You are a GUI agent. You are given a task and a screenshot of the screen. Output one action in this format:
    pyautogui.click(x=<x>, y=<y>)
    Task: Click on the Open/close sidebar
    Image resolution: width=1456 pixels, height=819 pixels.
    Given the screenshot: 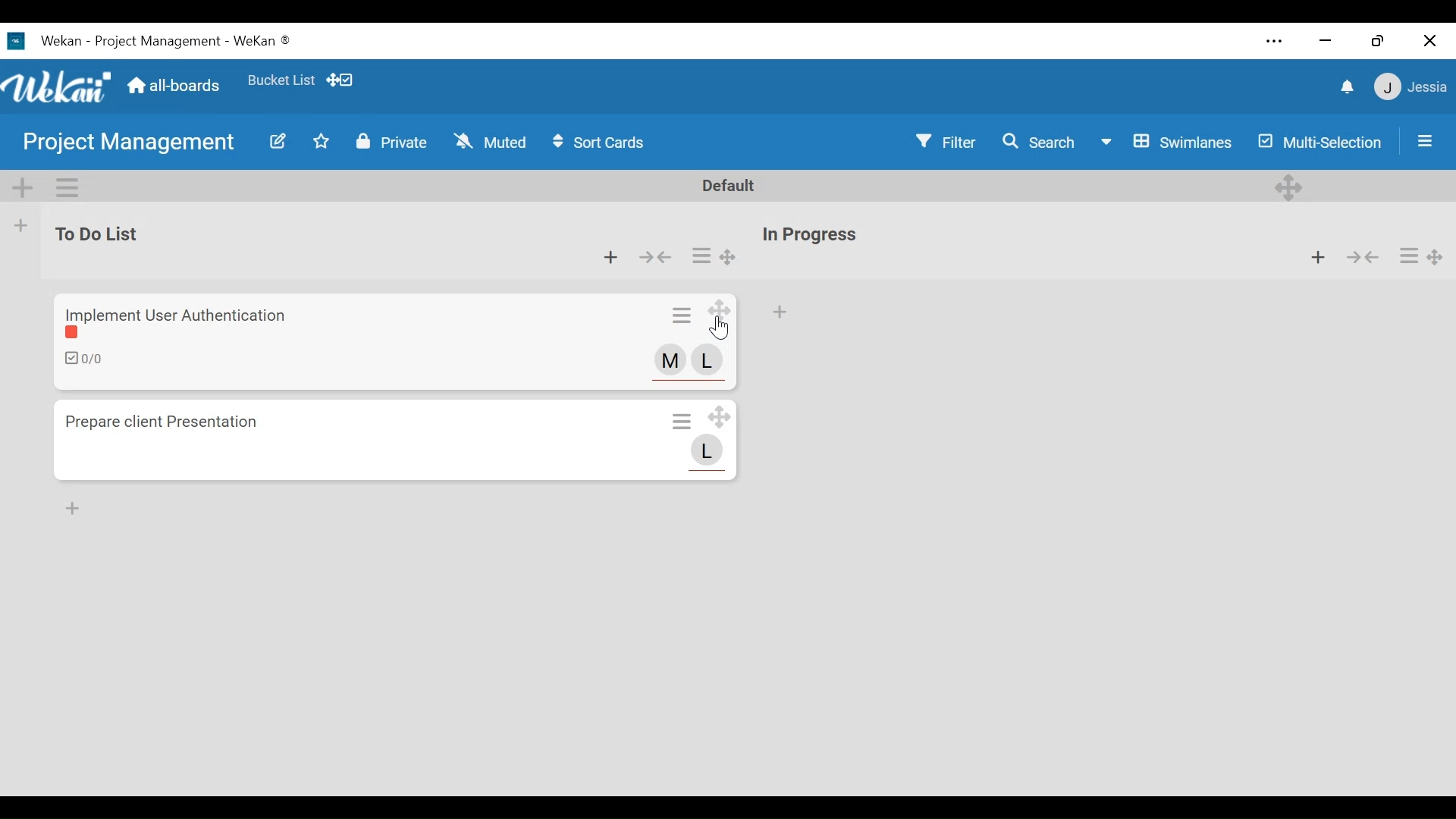 What is the action you would take?
    pyautogui.click(x=1426, y=142)
    